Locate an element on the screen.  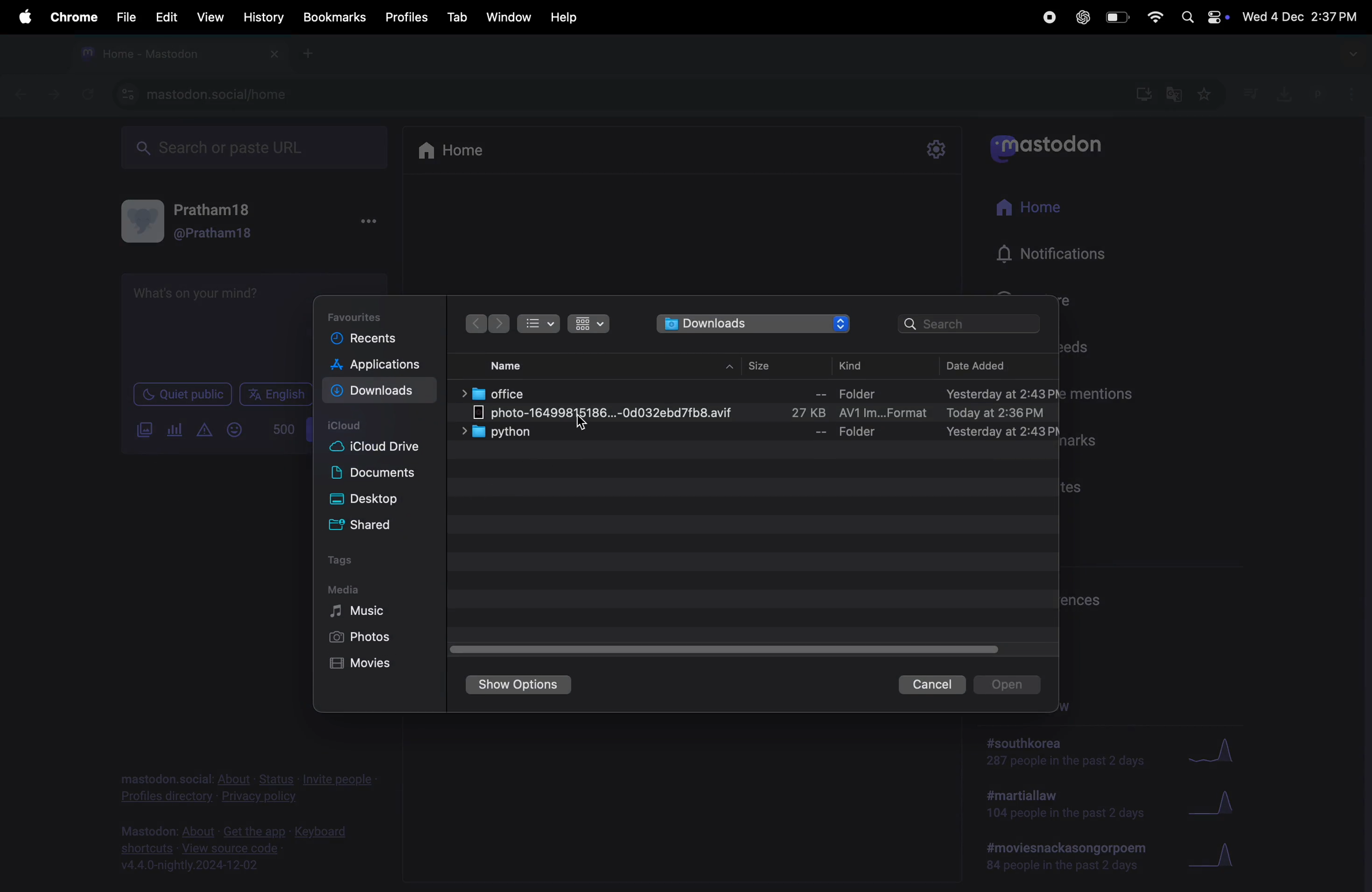
shared is located at coordinates (372, 523).